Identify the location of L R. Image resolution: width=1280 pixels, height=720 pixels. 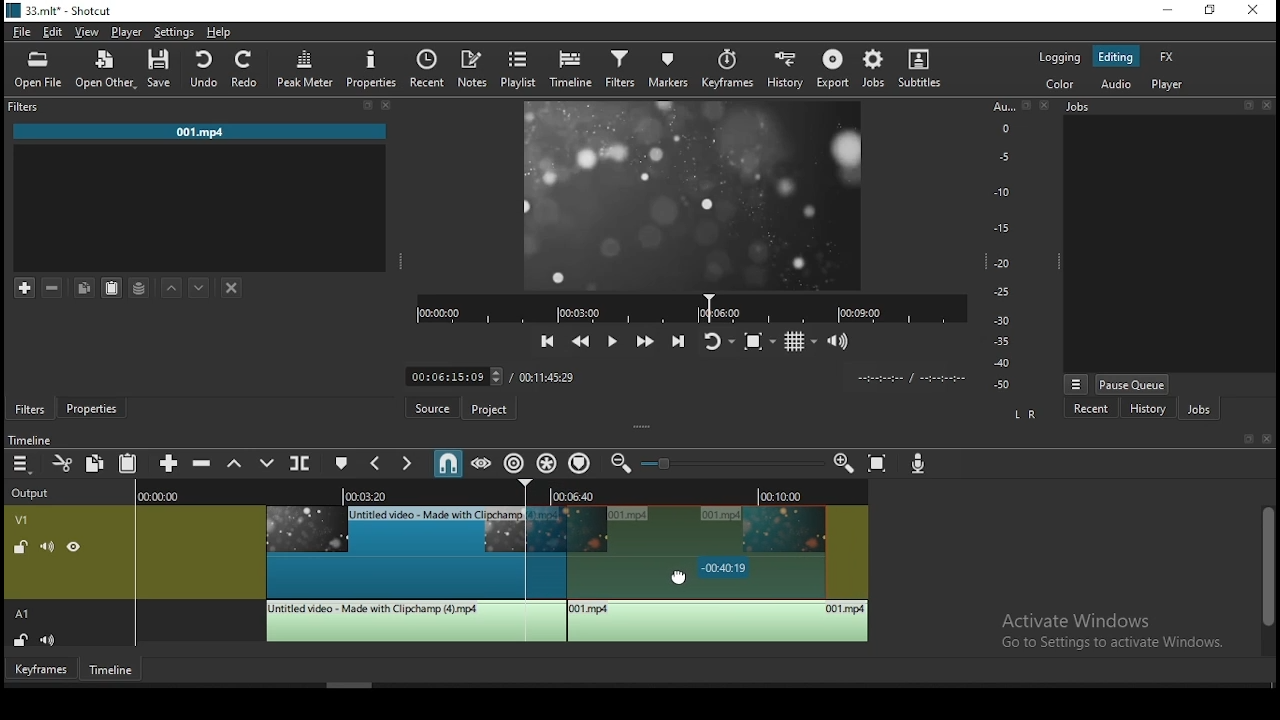
(1021, 414).